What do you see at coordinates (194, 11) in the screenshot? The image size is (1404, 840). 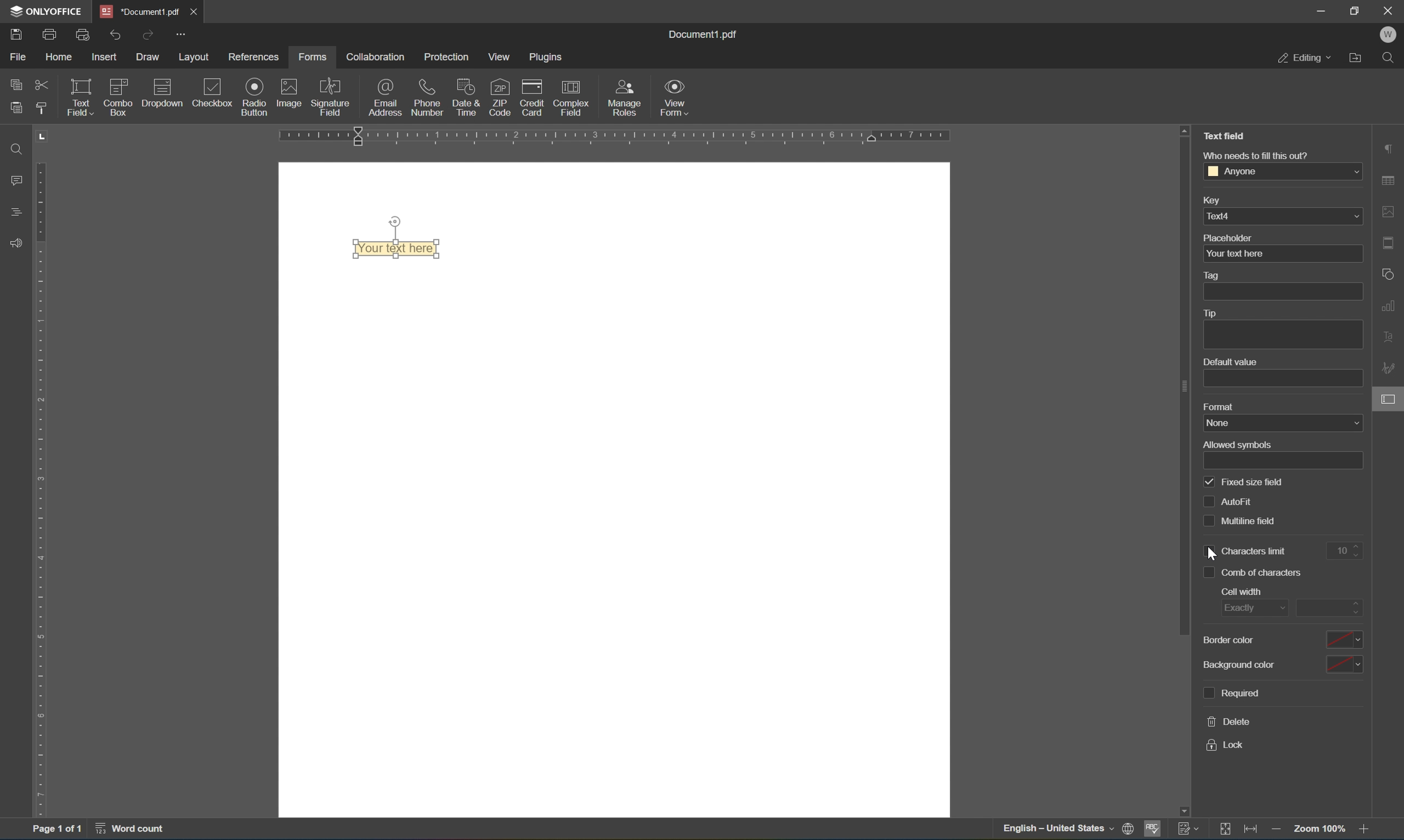 I see `Close` at bounding box center [194, 11].